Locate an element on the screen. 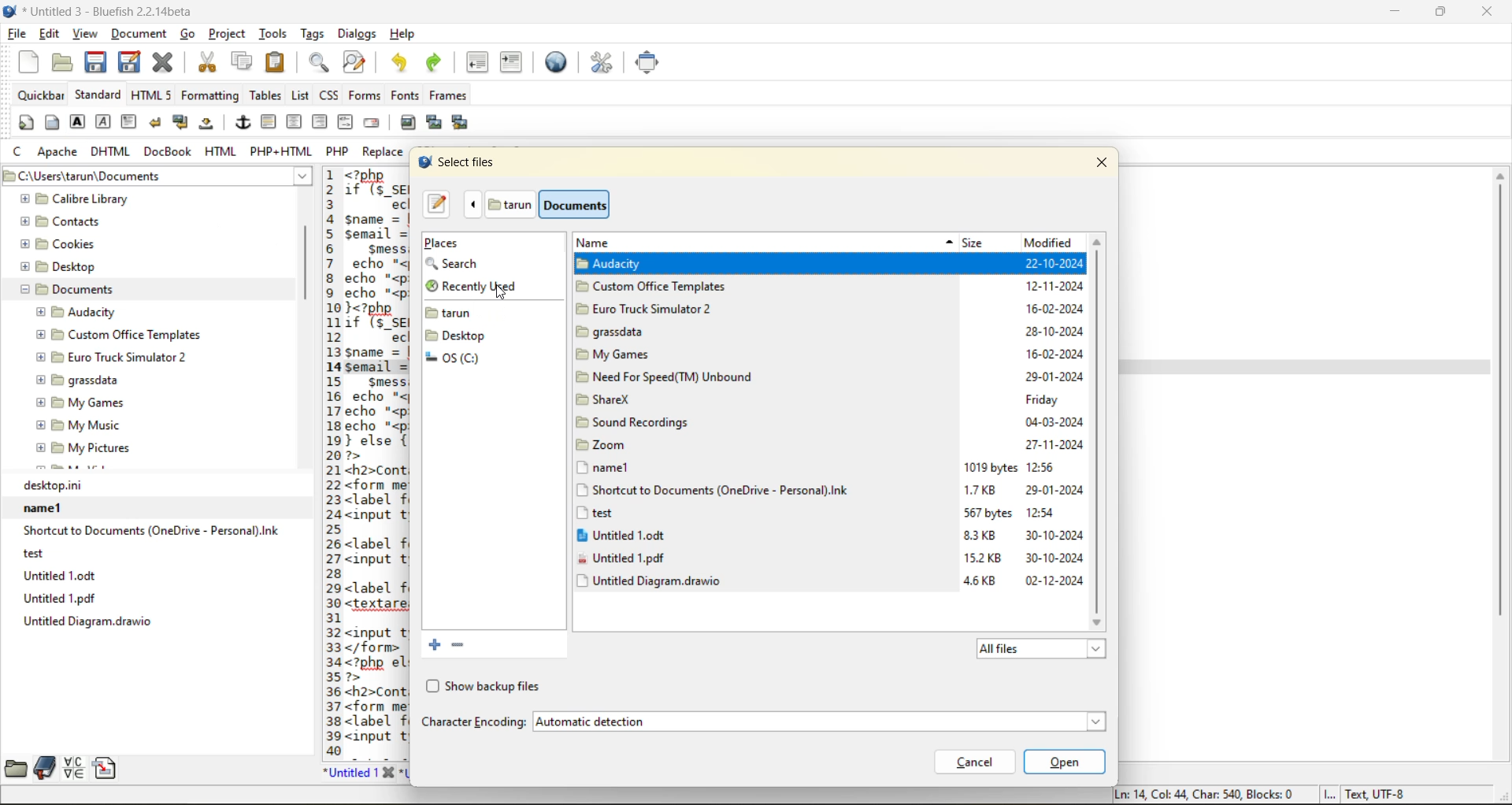 Image resolution: width=1512 pixels, height=805 pixels. emphasis is located at coordinates (103, 122).